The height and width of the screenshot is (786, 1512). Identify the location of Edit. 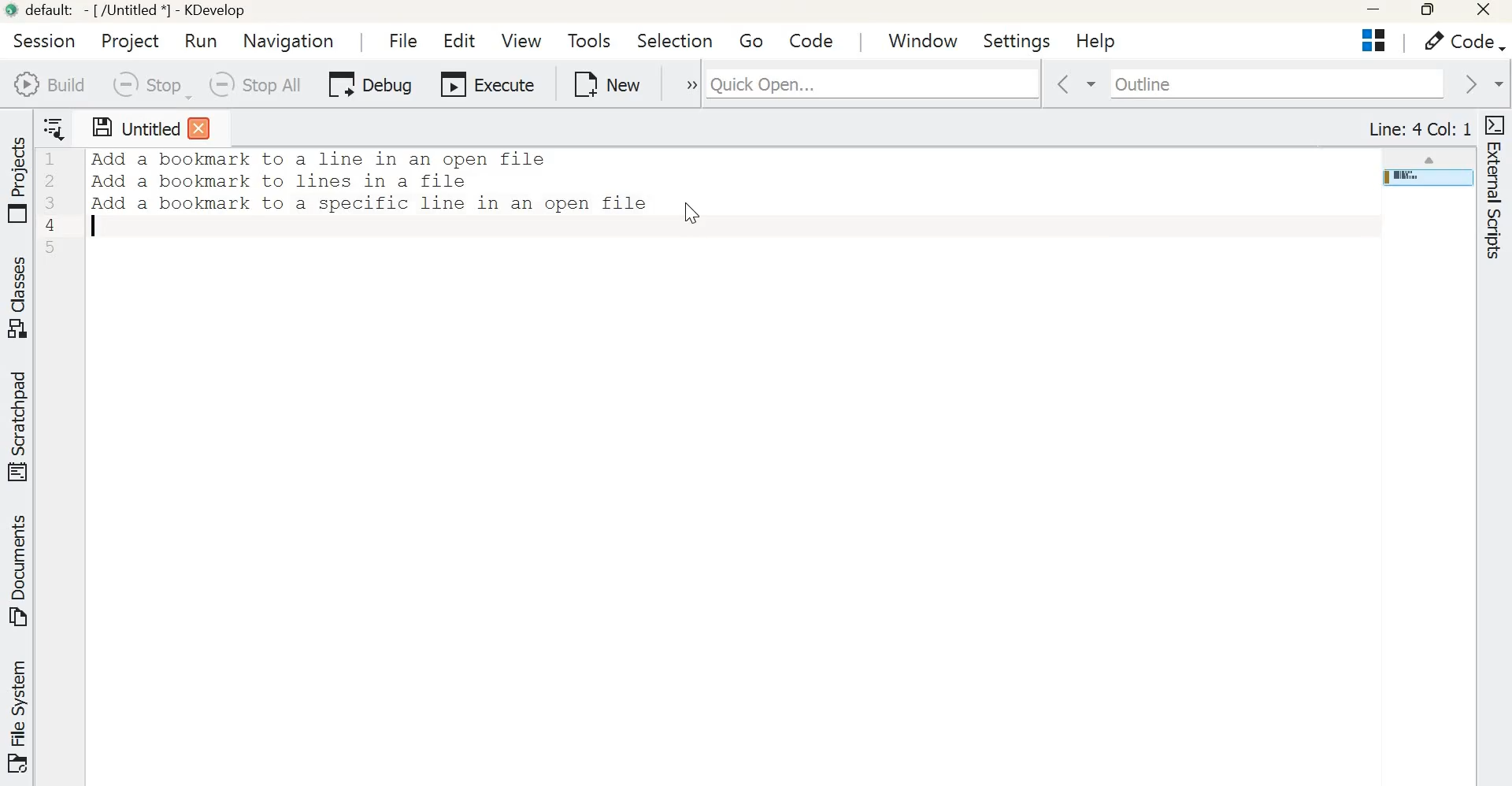
(461, 37).